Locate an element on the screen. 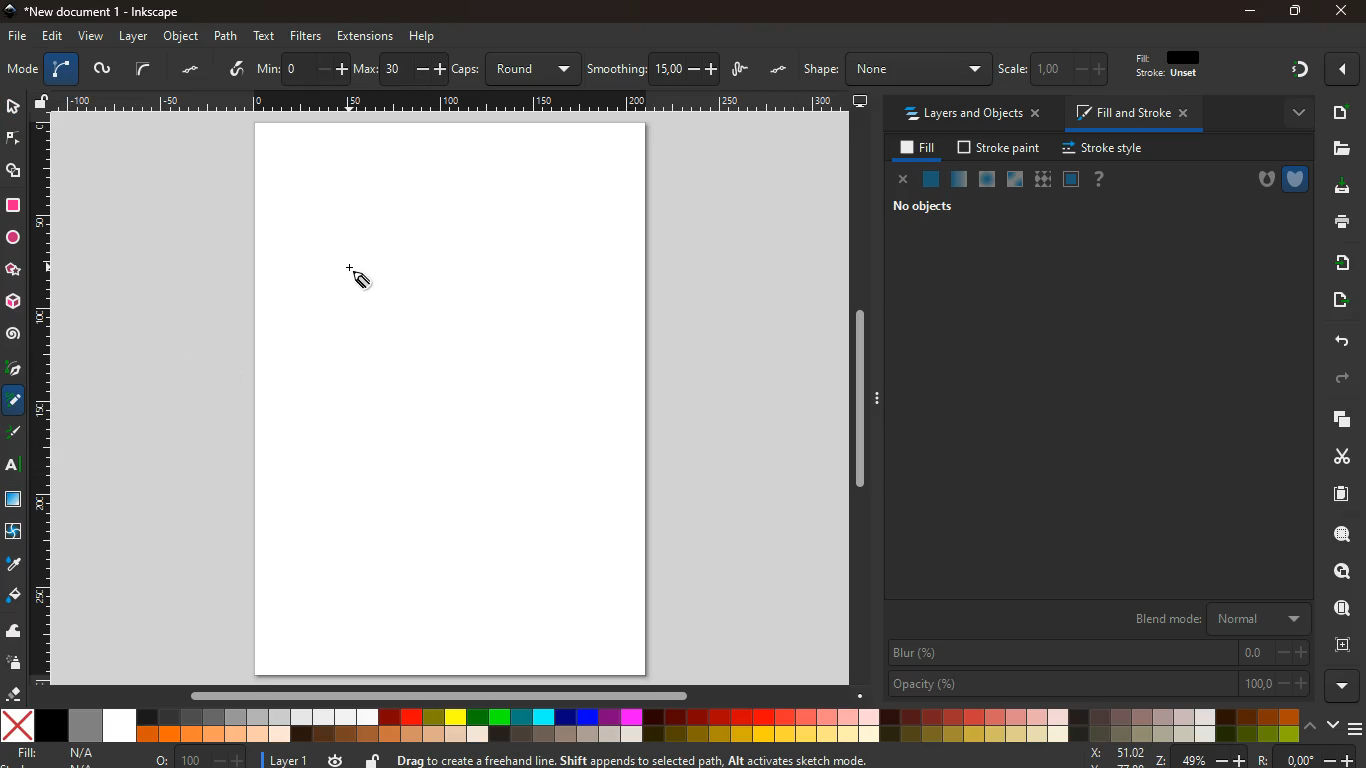  files is located at coordinates (1338, 148).